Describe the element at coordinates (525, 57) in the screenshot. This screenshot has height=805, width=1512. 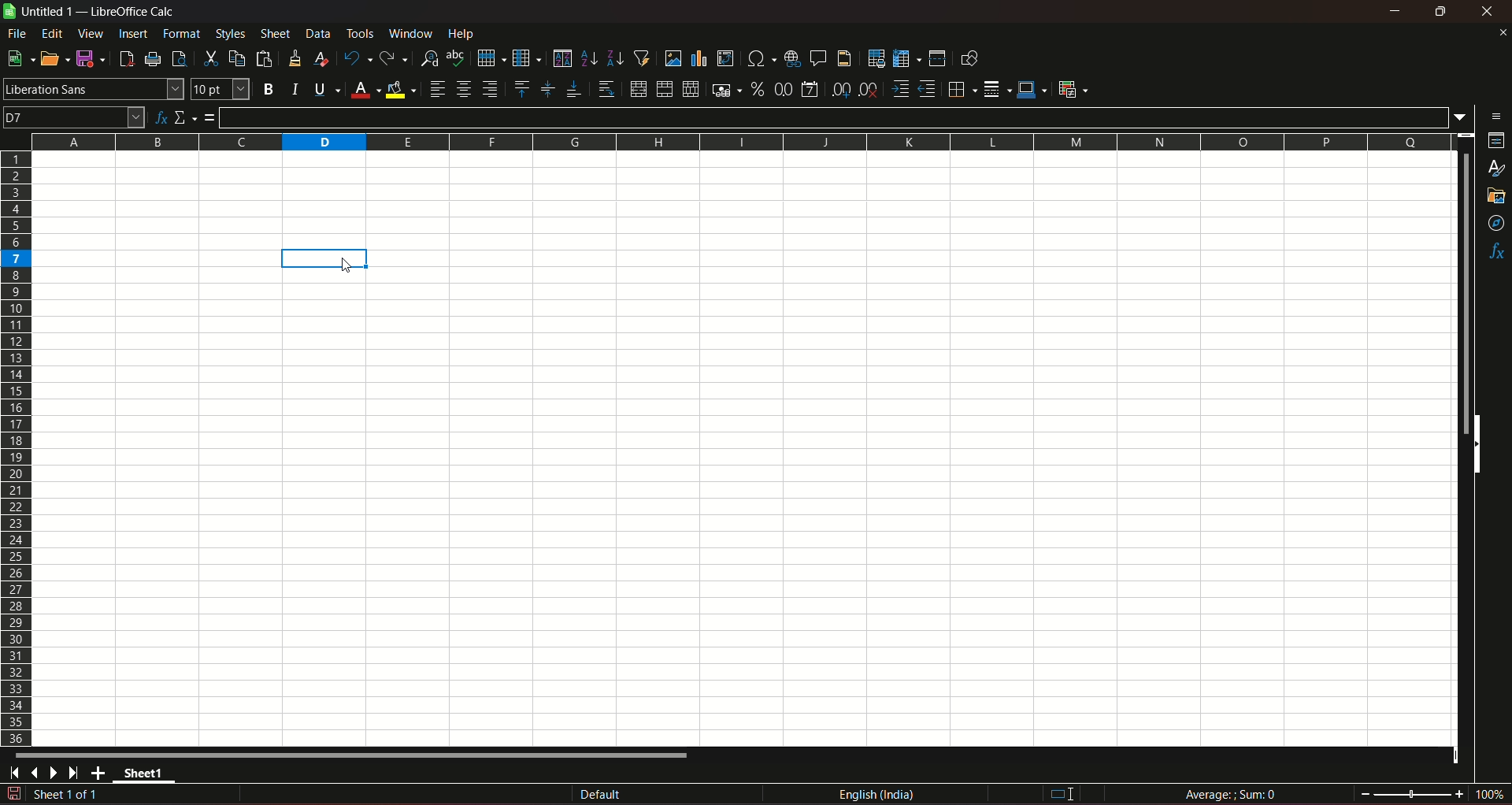
I see `column` at that location.